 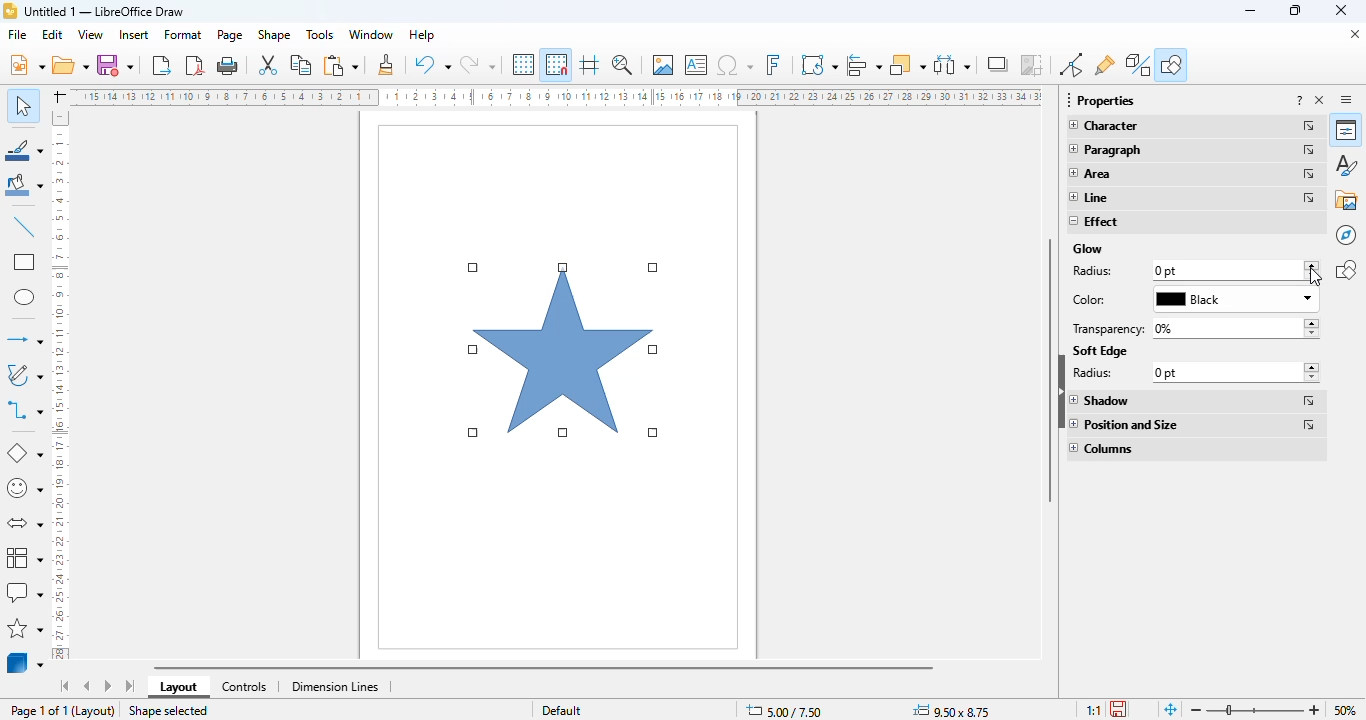 What do you see at coordinates (1106, 150) in the screenshot?
I see `paragraph` at bounding box center [1106, 150].